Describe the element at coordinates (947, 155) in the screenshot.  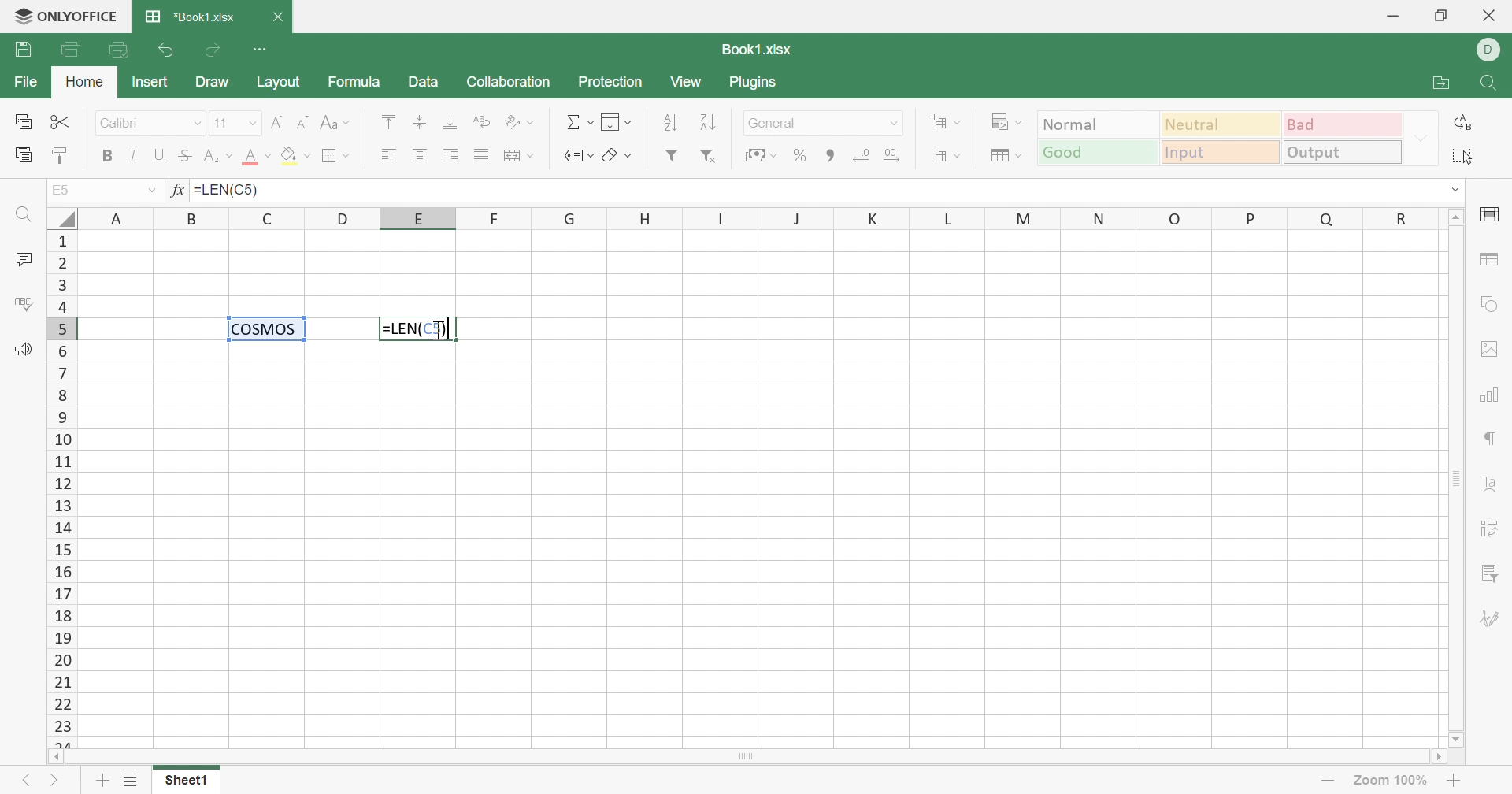
I see `Delete cells` at that location.